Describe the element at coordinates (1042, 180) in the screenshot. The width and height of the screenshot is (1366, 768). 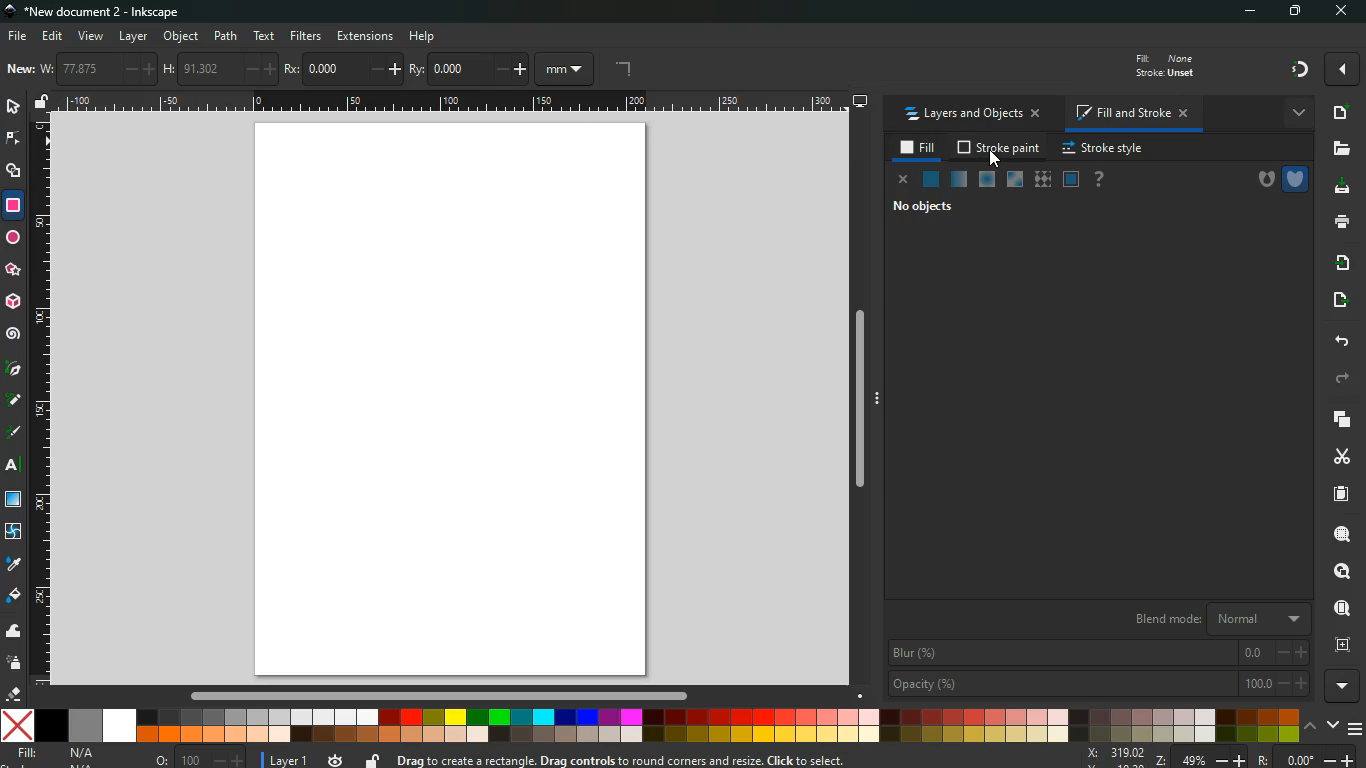
I see `texture` at that location.